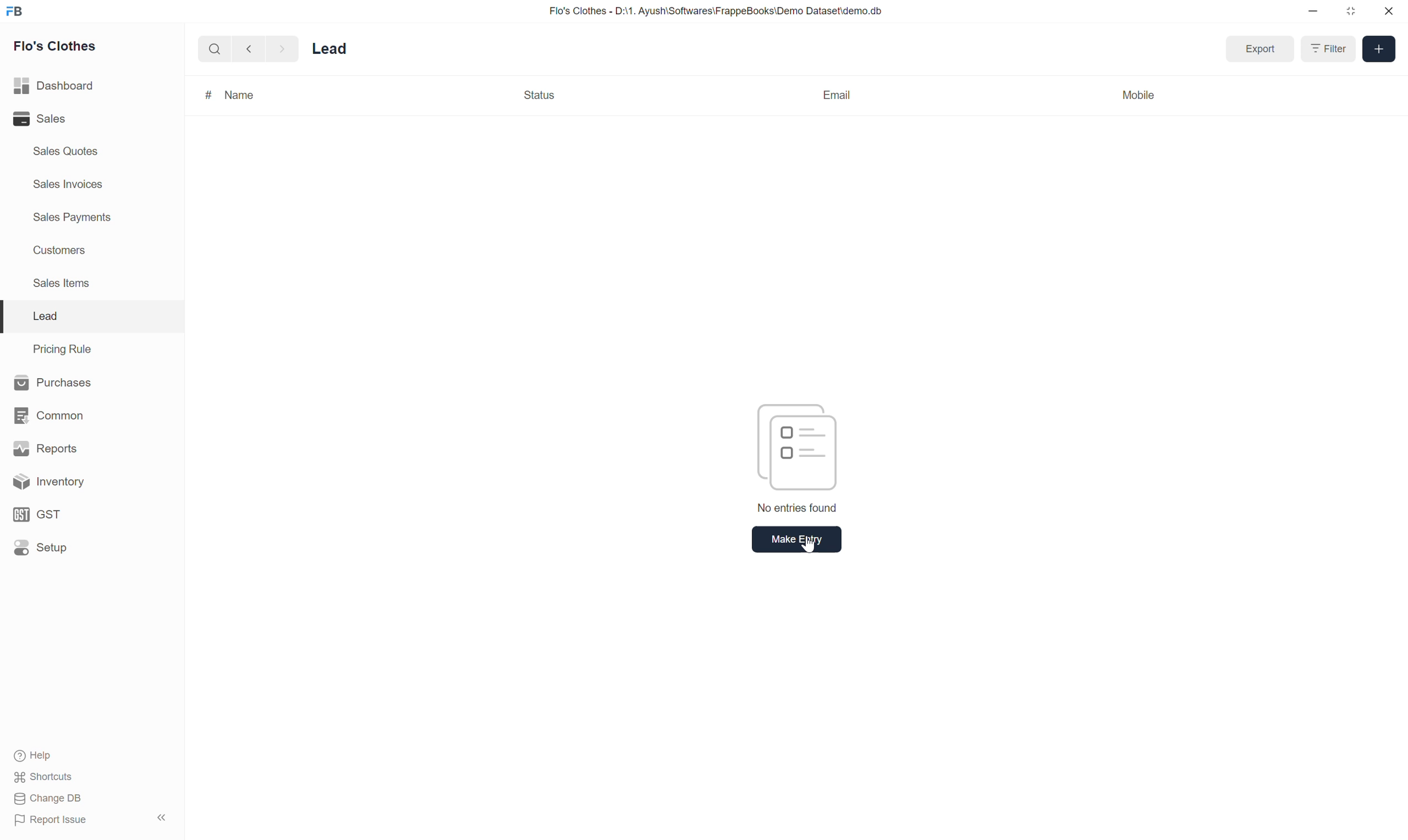  I want to click on close down, so click(1352, 10).